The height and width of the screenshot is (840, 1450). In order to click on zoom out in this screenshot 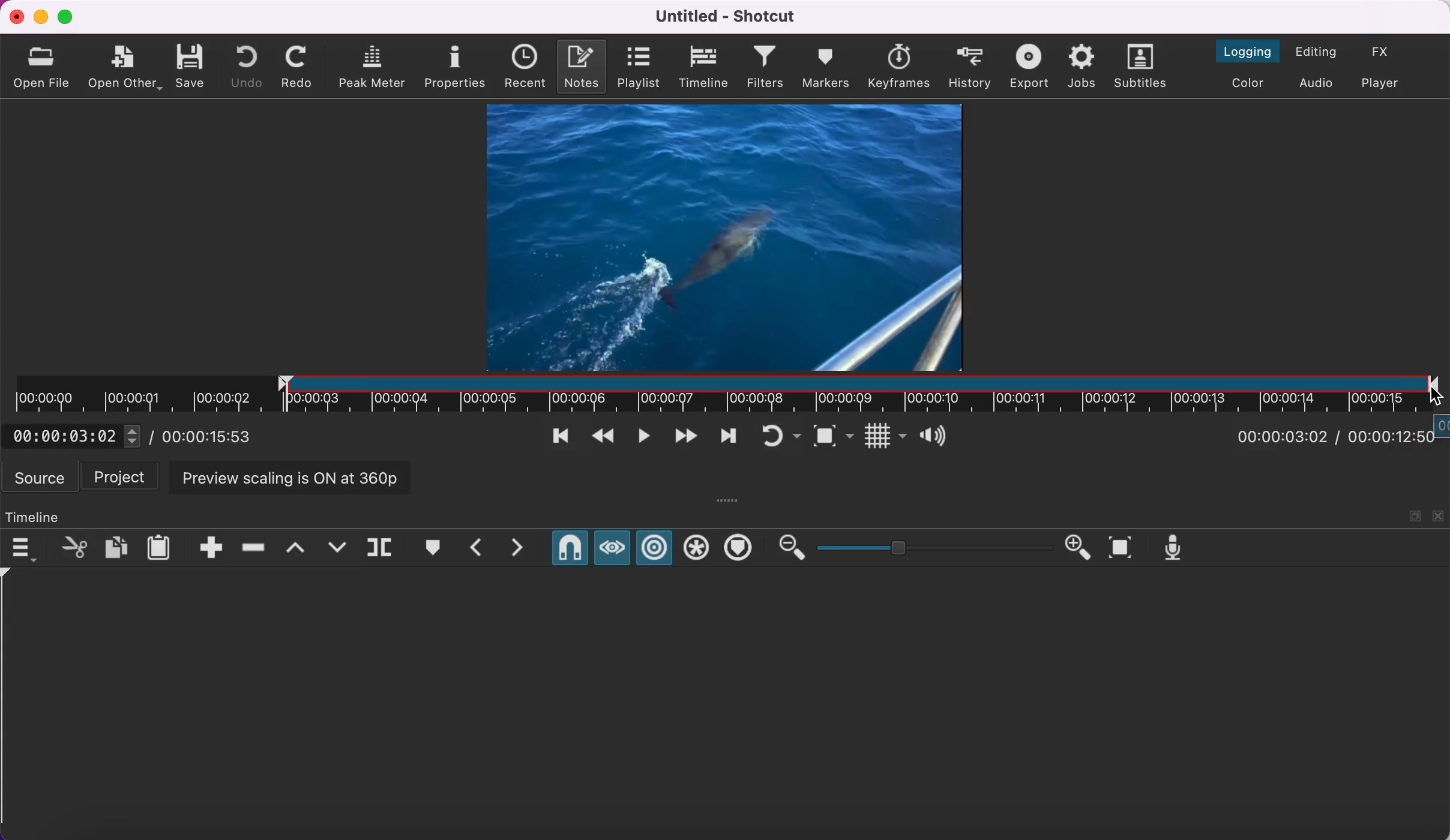, I will do `click(790, 548)`.